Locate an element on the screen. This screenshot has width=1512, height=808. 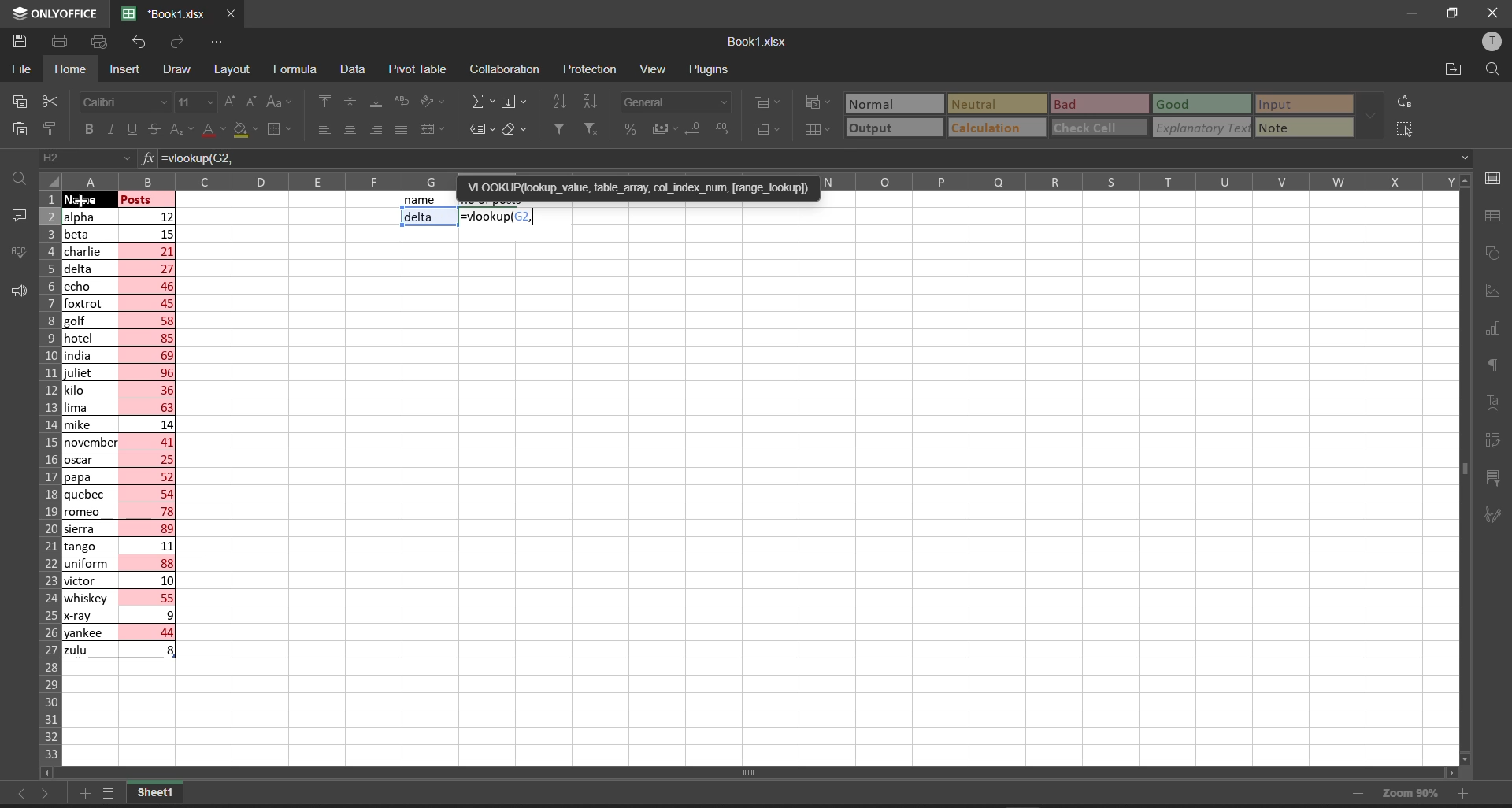
emty cell is located at coordinates (813, 500).